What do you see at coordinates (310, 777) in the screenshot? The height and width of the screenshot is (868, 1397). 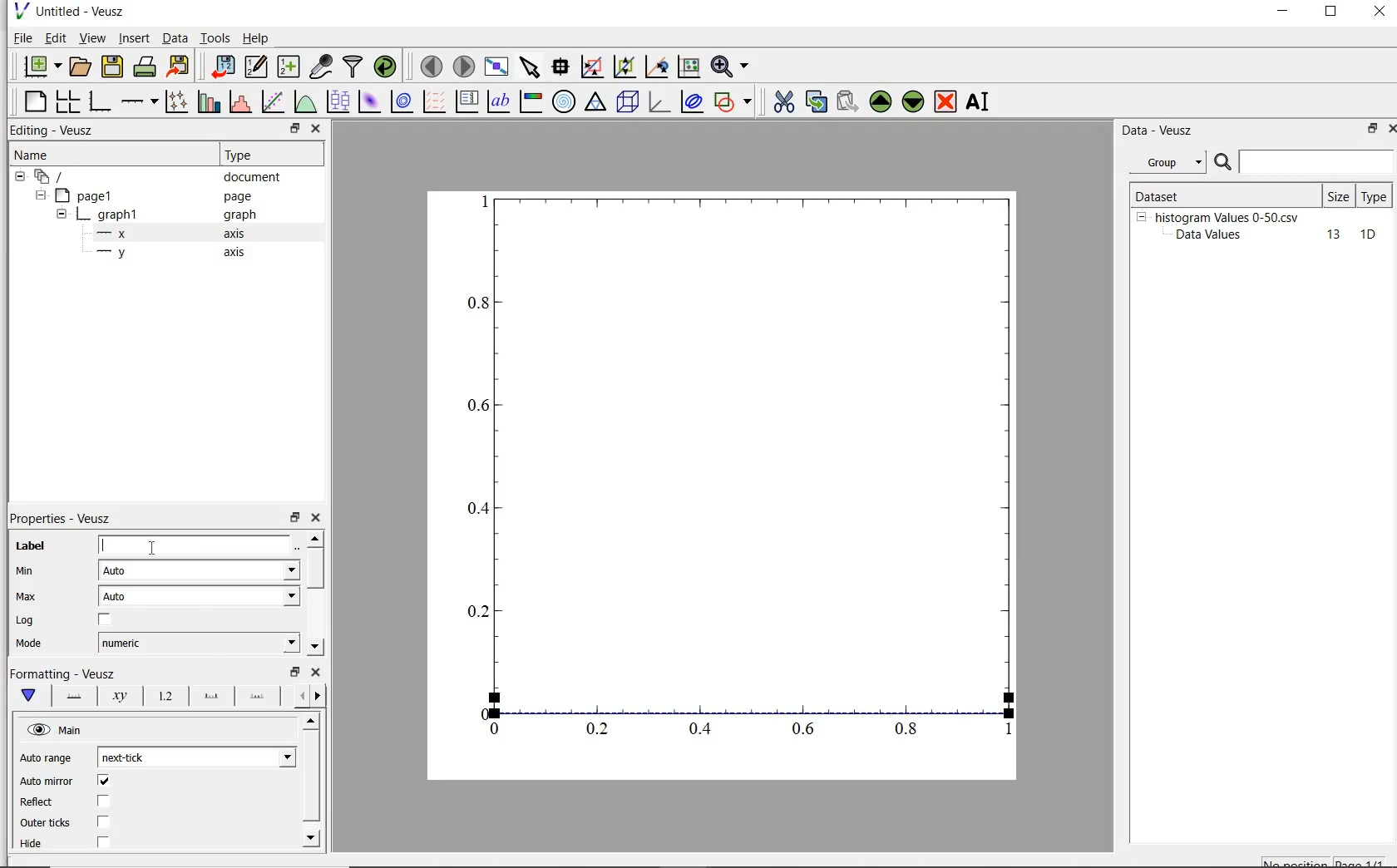 I see `vertical scrollbar` at bounding box center [310, 777].